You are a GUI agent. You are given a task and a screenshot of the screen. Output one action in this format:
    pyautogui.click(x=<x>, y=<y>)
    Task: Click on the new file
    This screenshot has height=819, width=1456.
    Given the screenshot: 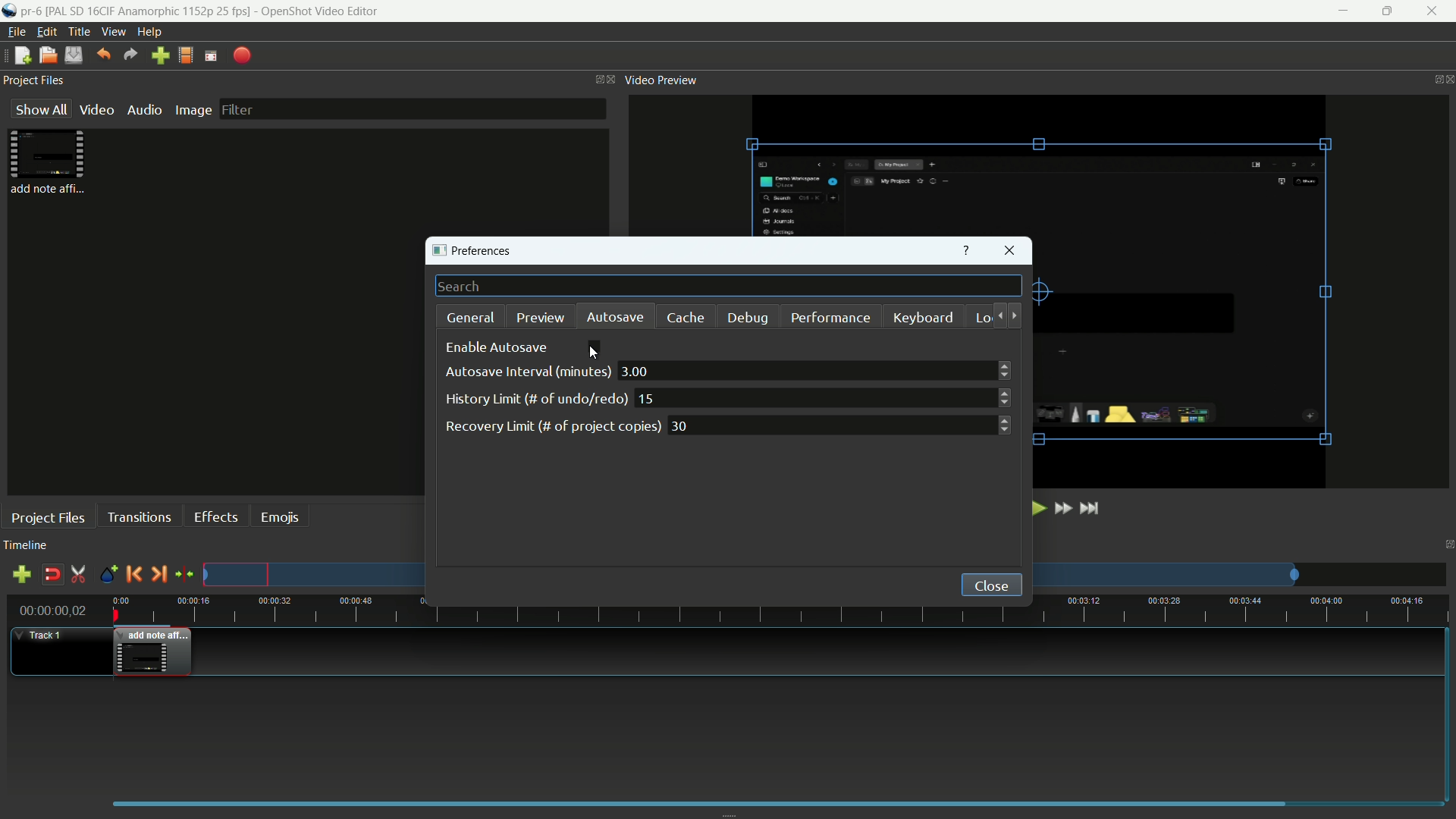 What is the action you would take?
    pyautogui.click(x=22, y=56)
    